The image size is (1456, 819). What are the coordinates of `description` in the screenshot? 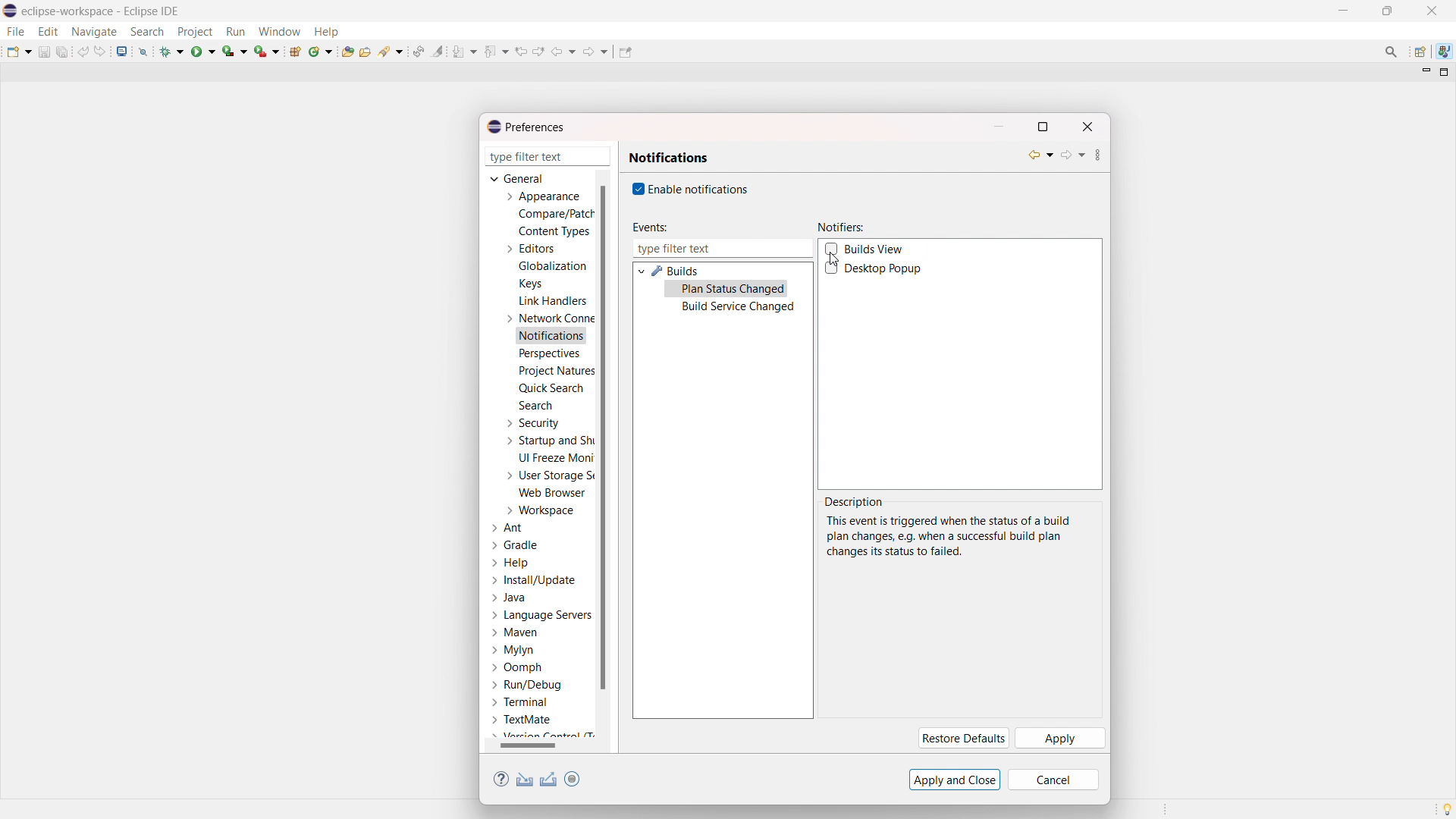 It's located at (948, 536).